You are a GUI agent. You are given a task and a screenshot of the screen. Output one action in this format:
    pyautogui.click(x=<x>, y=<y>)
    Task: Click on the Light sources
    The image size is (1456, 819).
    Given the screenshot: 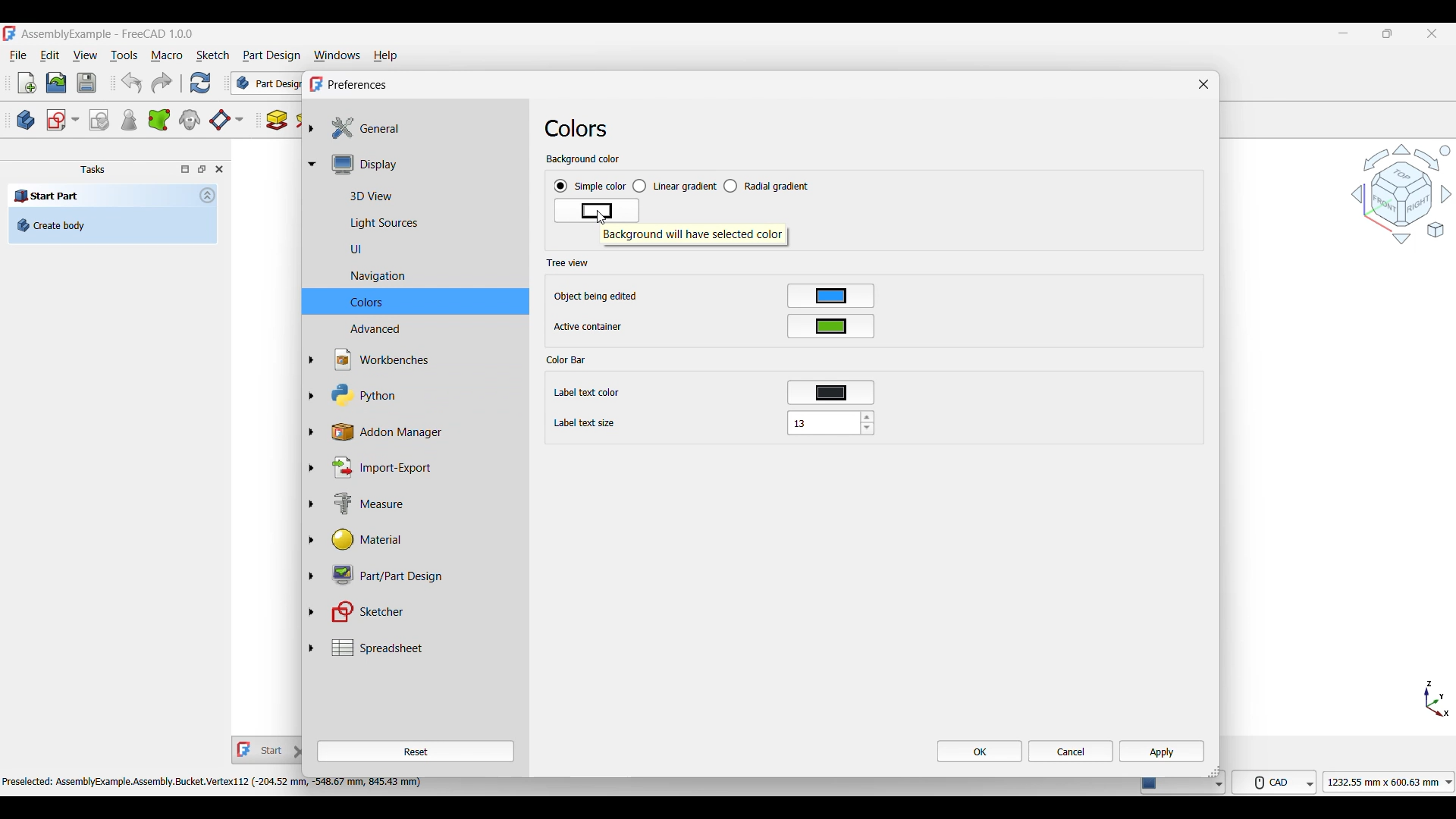 What is the action you would take?
    pyautogui.click(x=423, y=224)
    